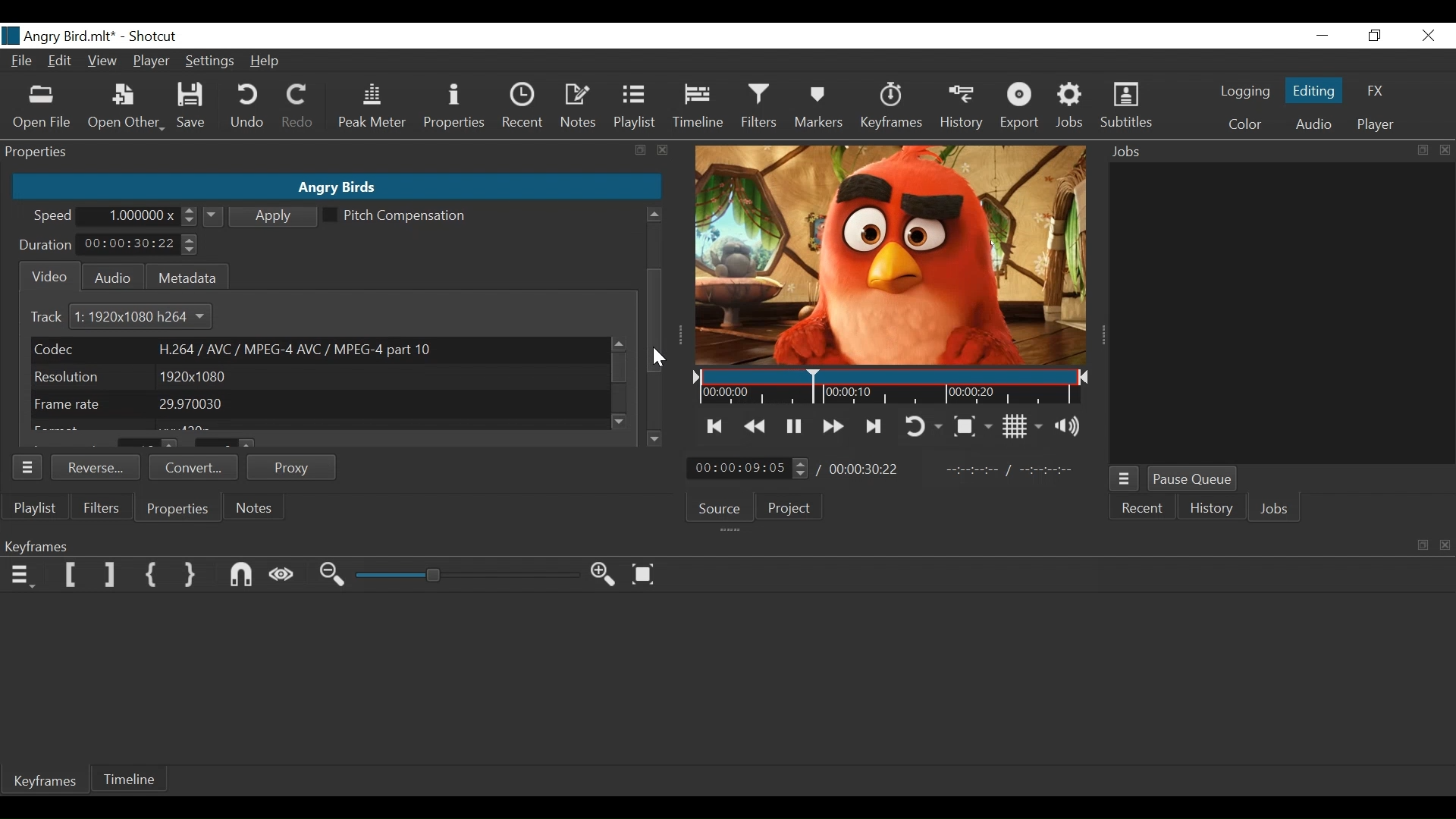 This screenshot has width=1456, height=819. Describe the element at coordinates (1426, 36) in the screenshot. I see `Close` at that location.